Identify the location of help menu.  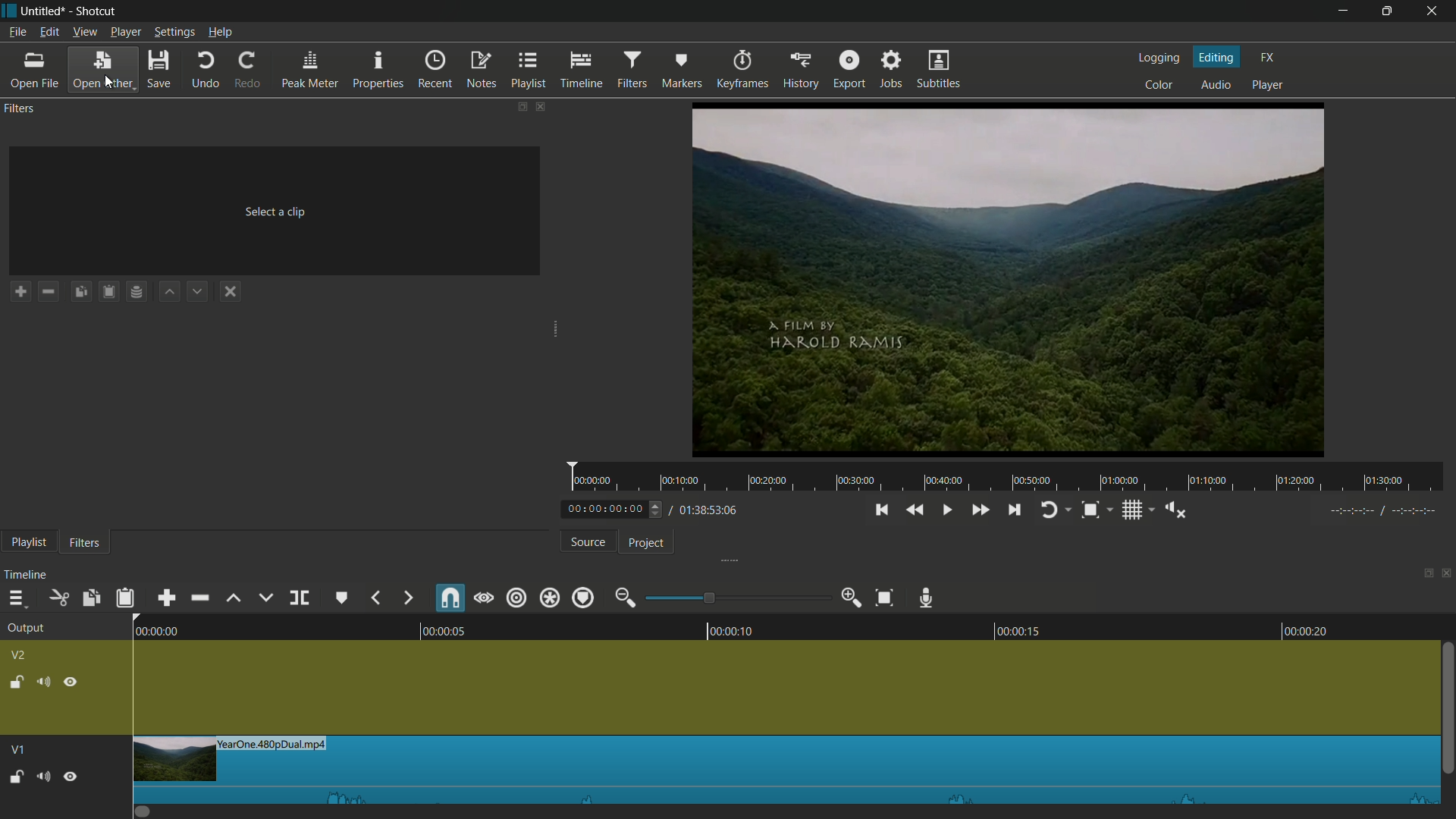
(220, 32).